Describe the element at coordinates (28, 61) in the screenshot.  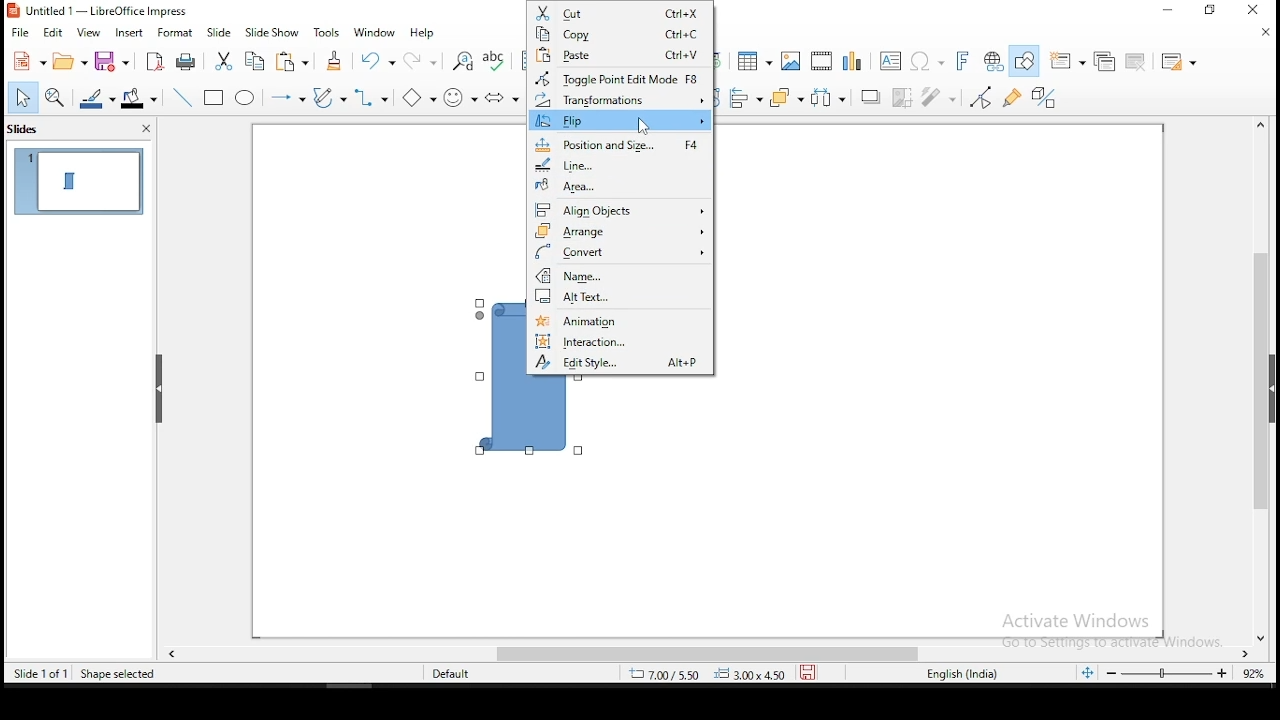
I see `new` at that location.